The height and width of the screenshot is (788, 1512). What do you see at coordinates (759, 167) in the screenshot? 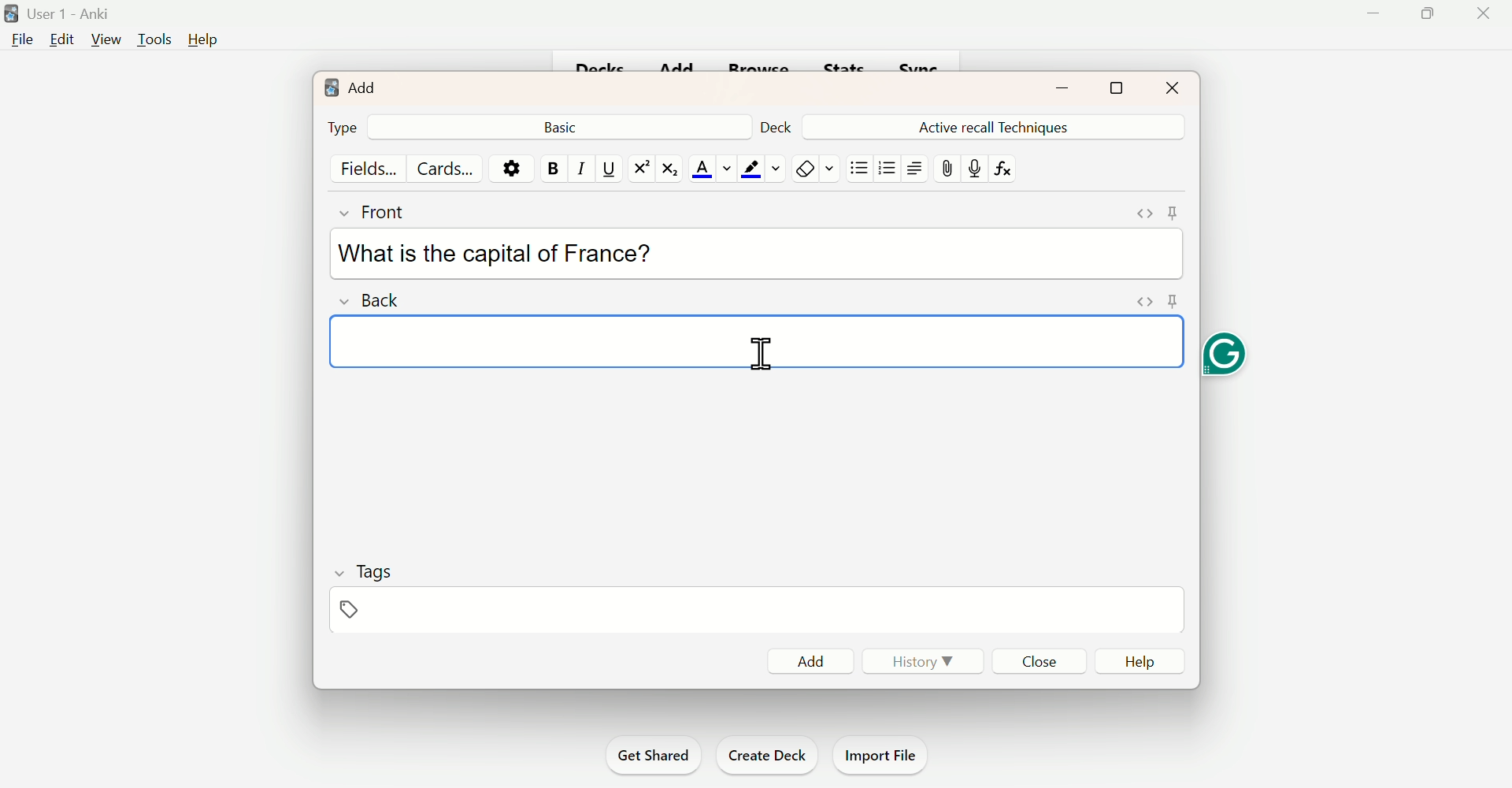
I see `Text Highlighting Color` at bounding box center [759, 167].